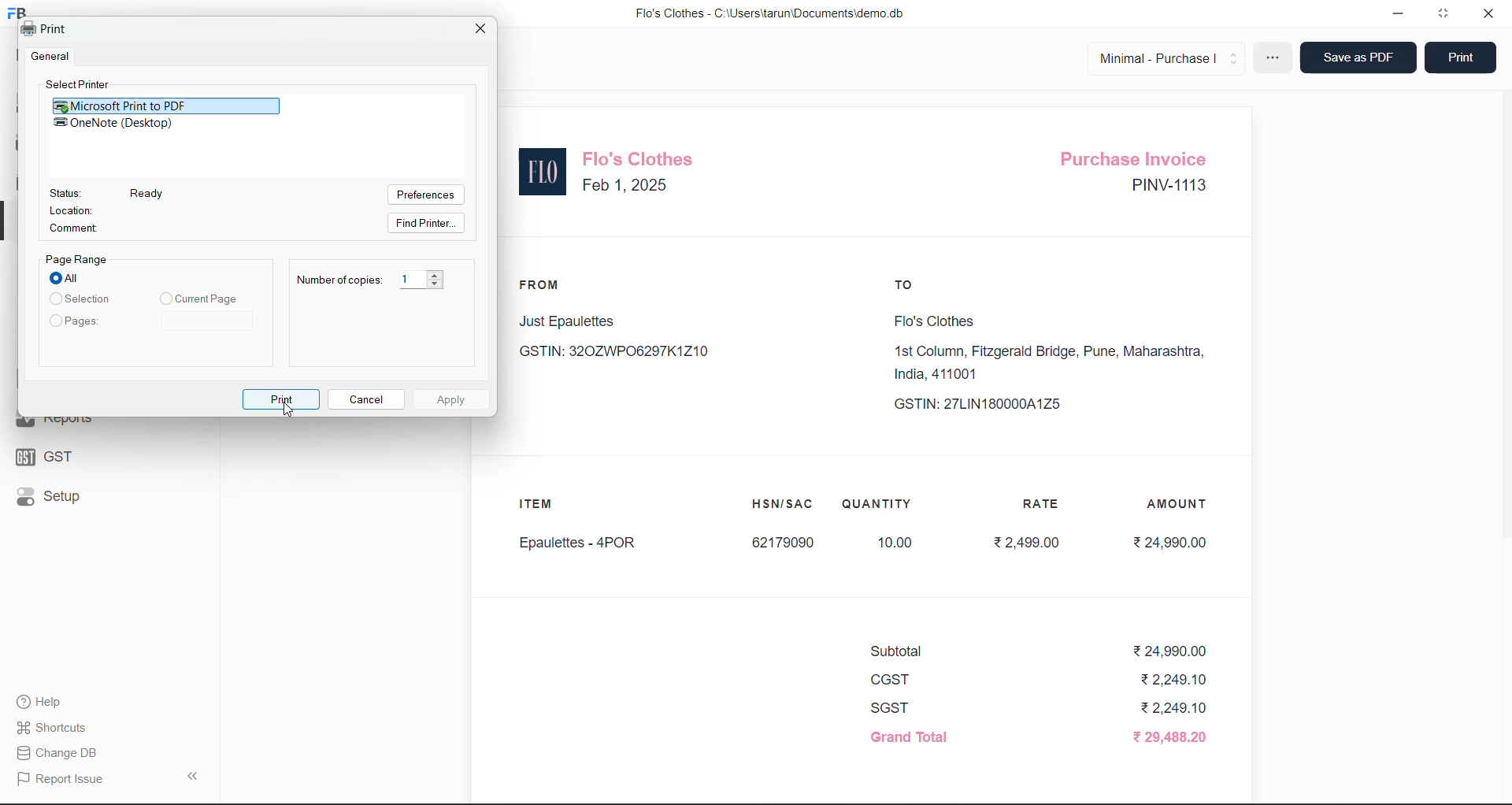 The image size is (1512, 805). What do you see at coordinates (288, 414) in the screenshot?
I see `cursor` at bounding box center [288, 414].